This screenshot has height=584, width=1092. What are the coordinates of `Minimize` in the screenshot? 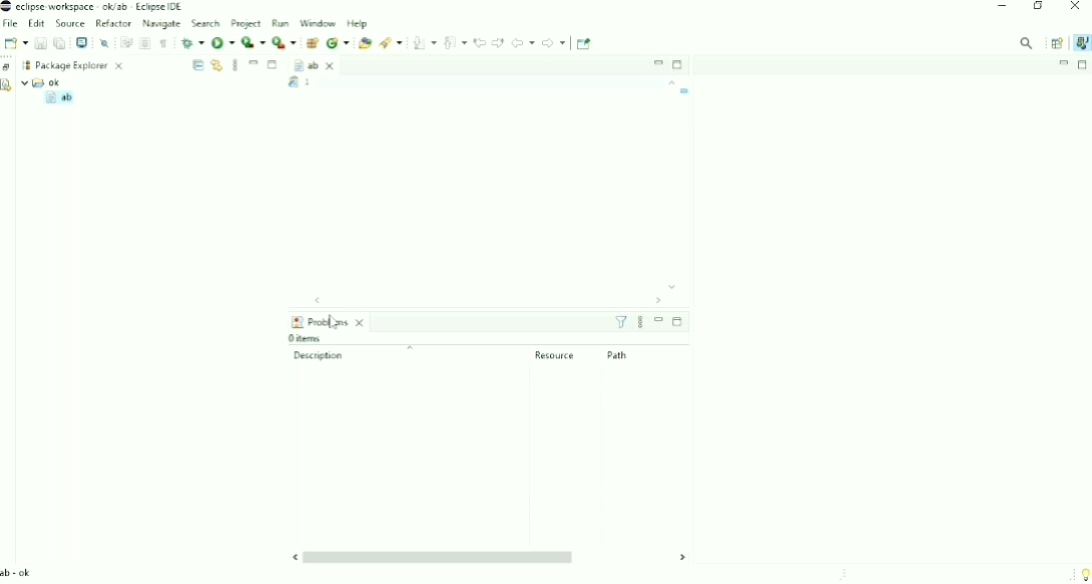 It's located at (659, 320).